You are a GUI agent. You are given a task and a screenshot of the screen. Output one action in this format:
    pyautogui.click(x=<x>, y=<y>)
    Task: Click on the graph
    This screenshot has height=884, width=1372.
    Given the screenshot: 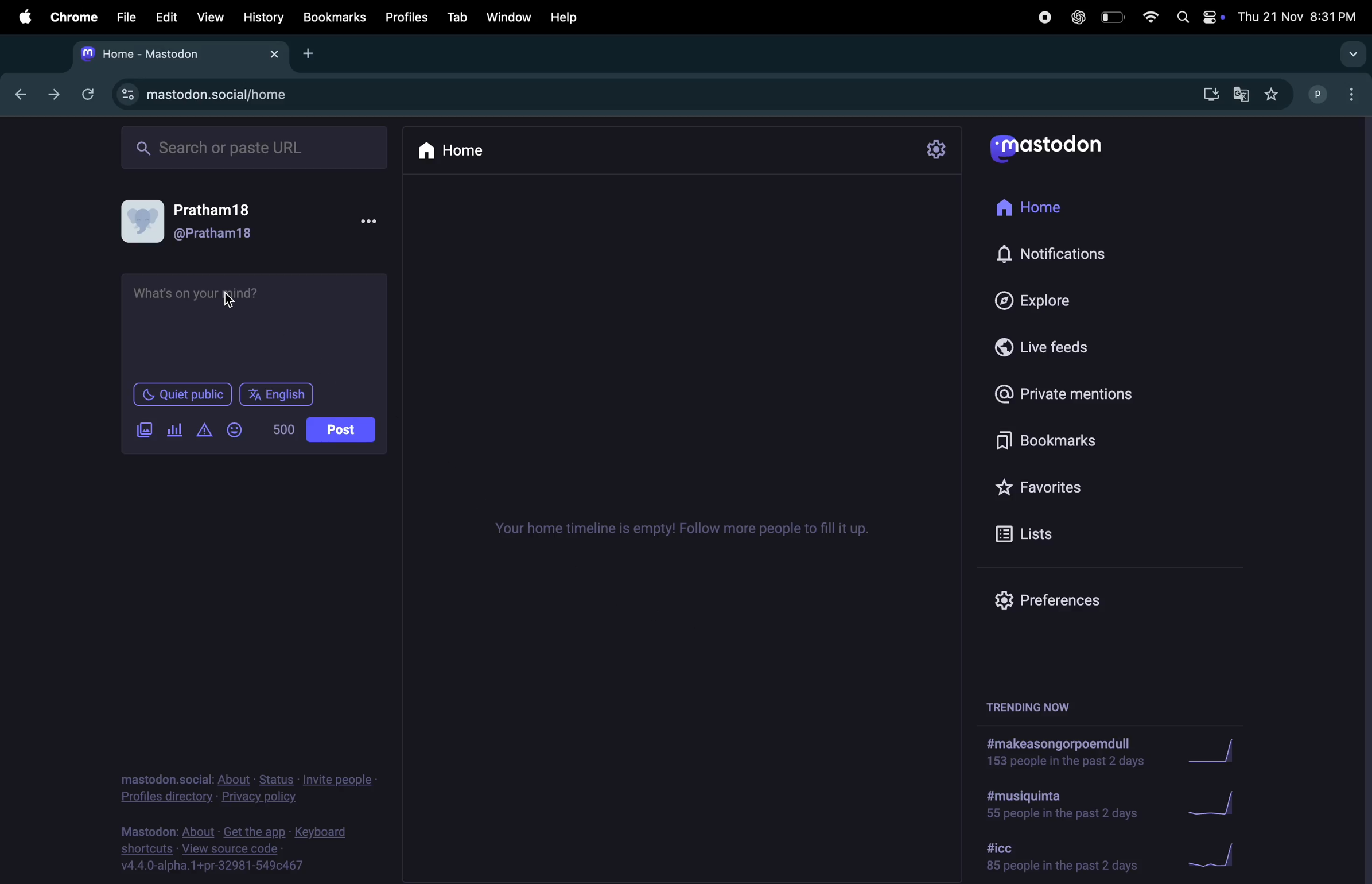 What is the action you would take?
    pyautogui.click(x=1216, y=804)
    